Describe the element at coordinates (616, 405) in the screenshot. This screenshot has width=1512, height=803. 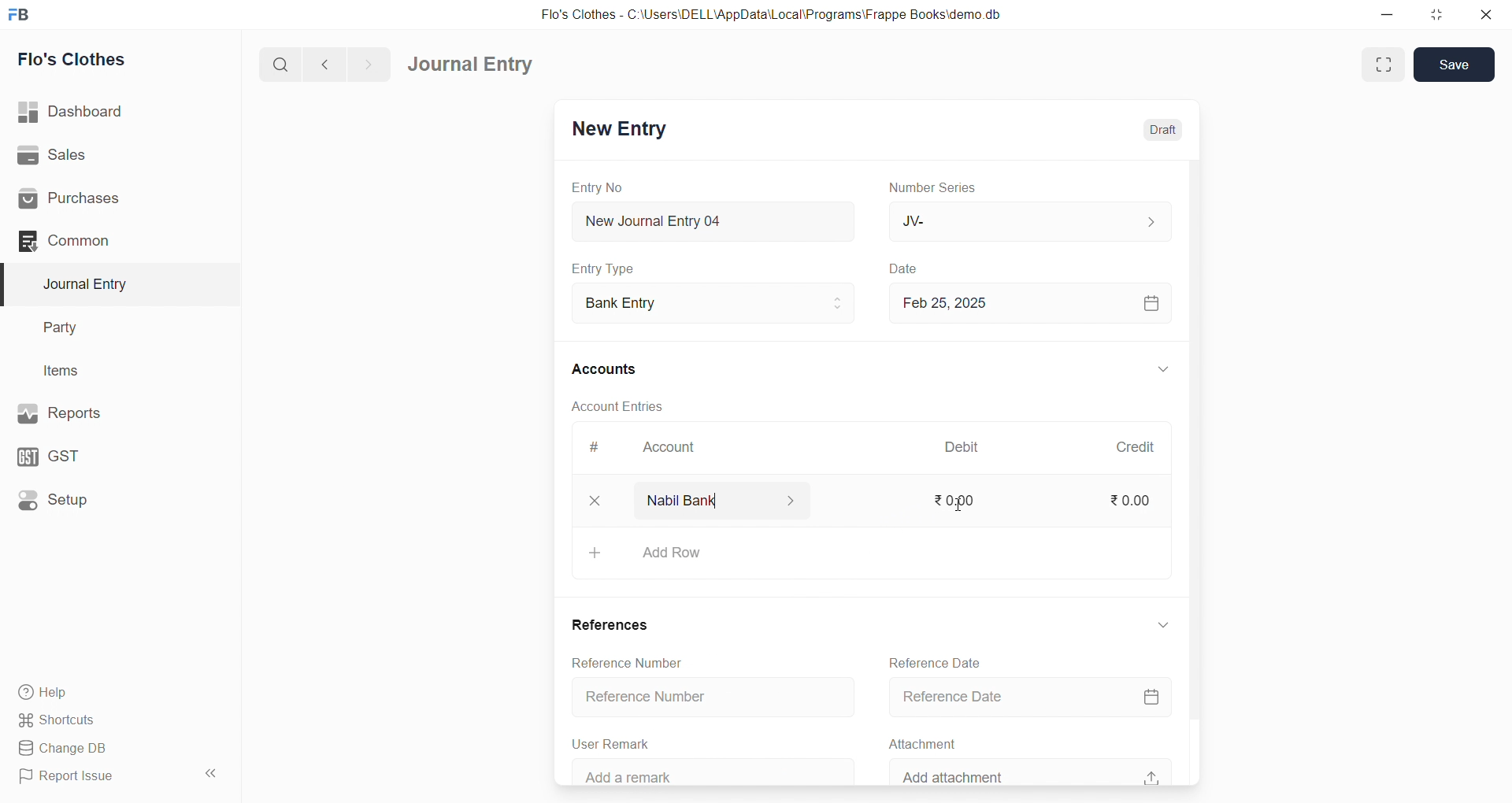
I see `Account Entries` at that location.